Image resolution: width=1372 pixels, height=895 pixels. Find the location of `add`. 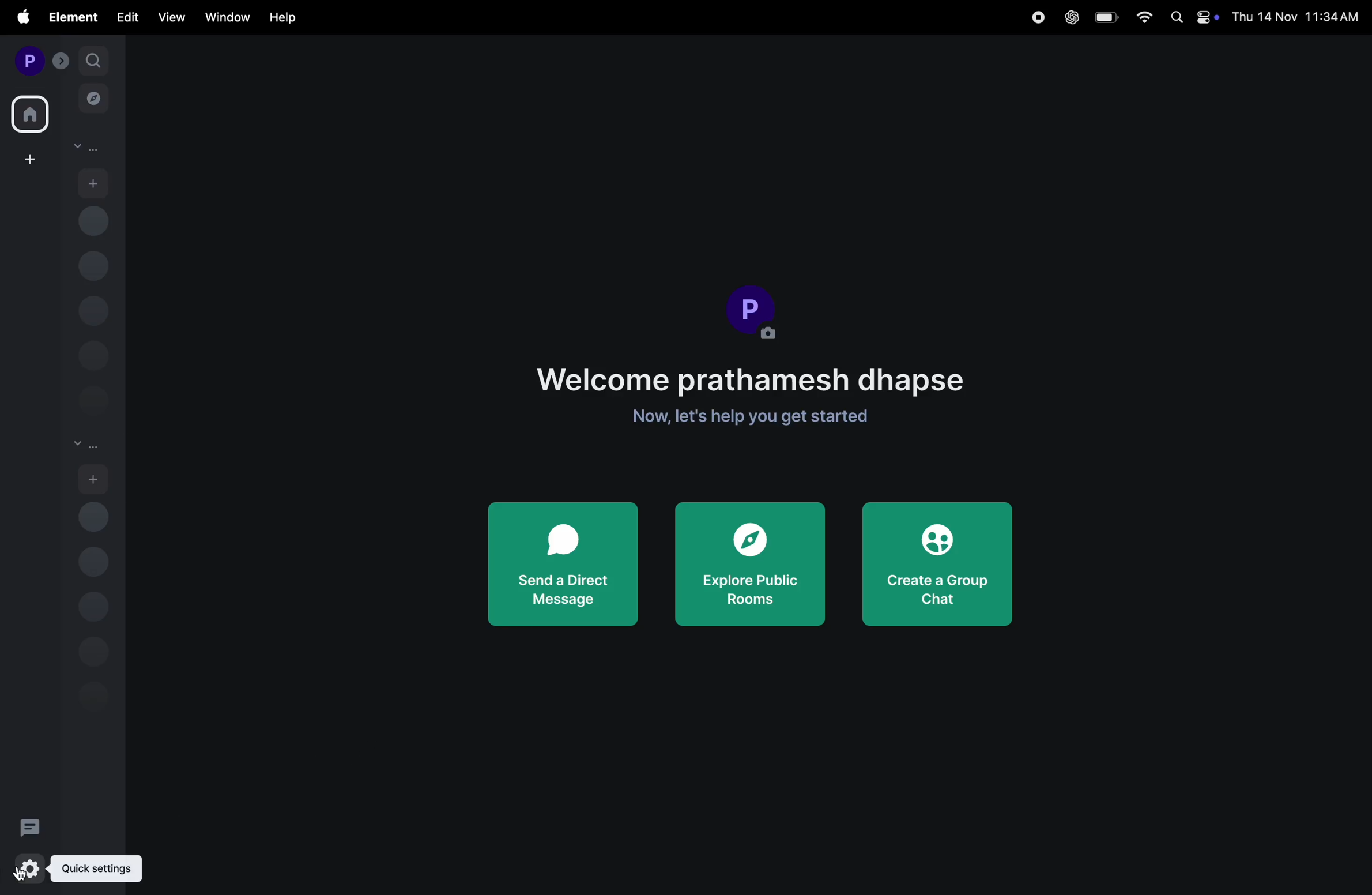

add is located at coordinates (94, 479).